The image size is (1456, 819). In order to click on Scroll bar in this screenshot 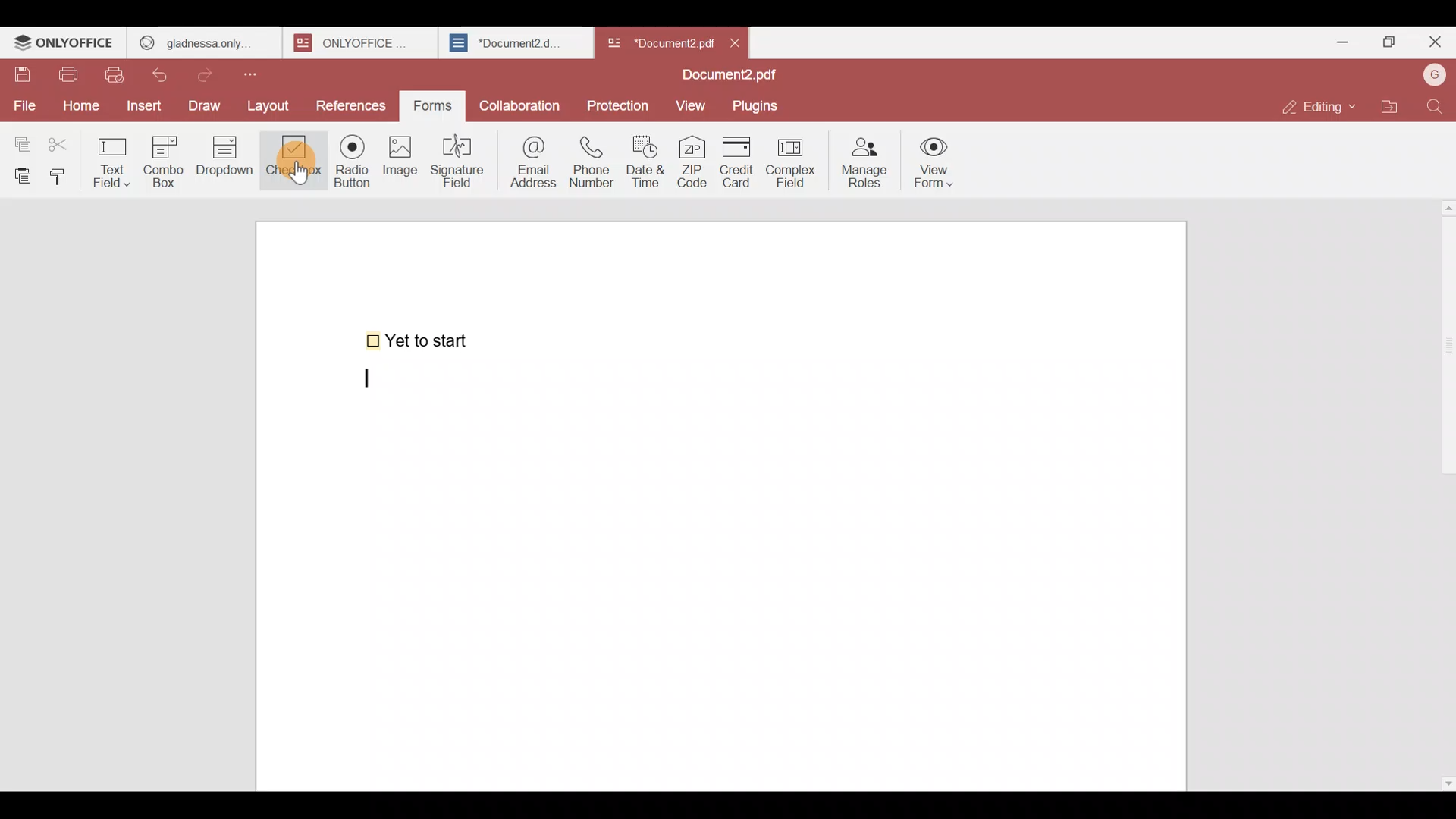, I will do `click(1443, 491)`.